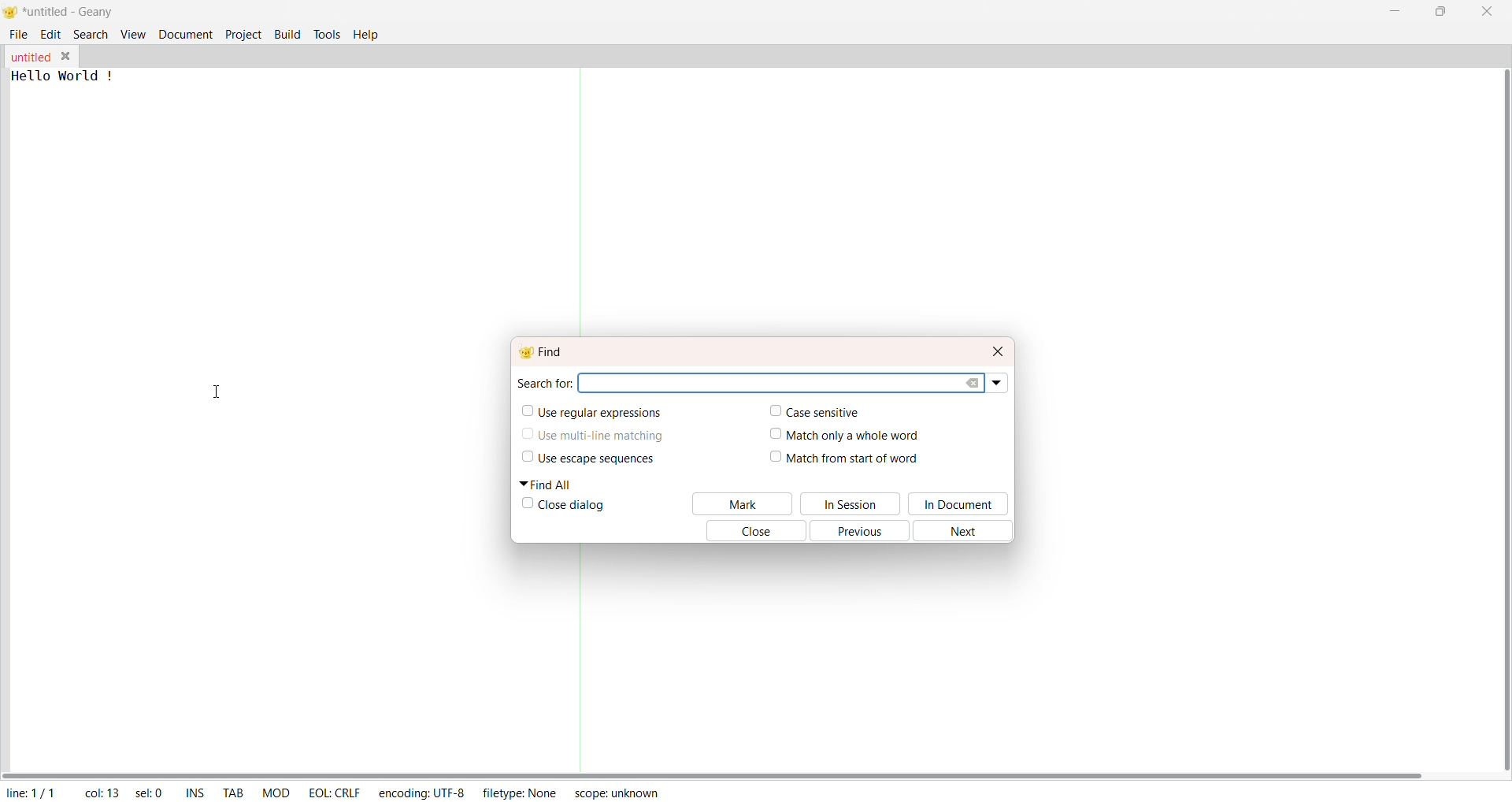  What do you see at coordinates (243, 35) in the screenshot?
I see `Project` at bounding box center [243, 35].